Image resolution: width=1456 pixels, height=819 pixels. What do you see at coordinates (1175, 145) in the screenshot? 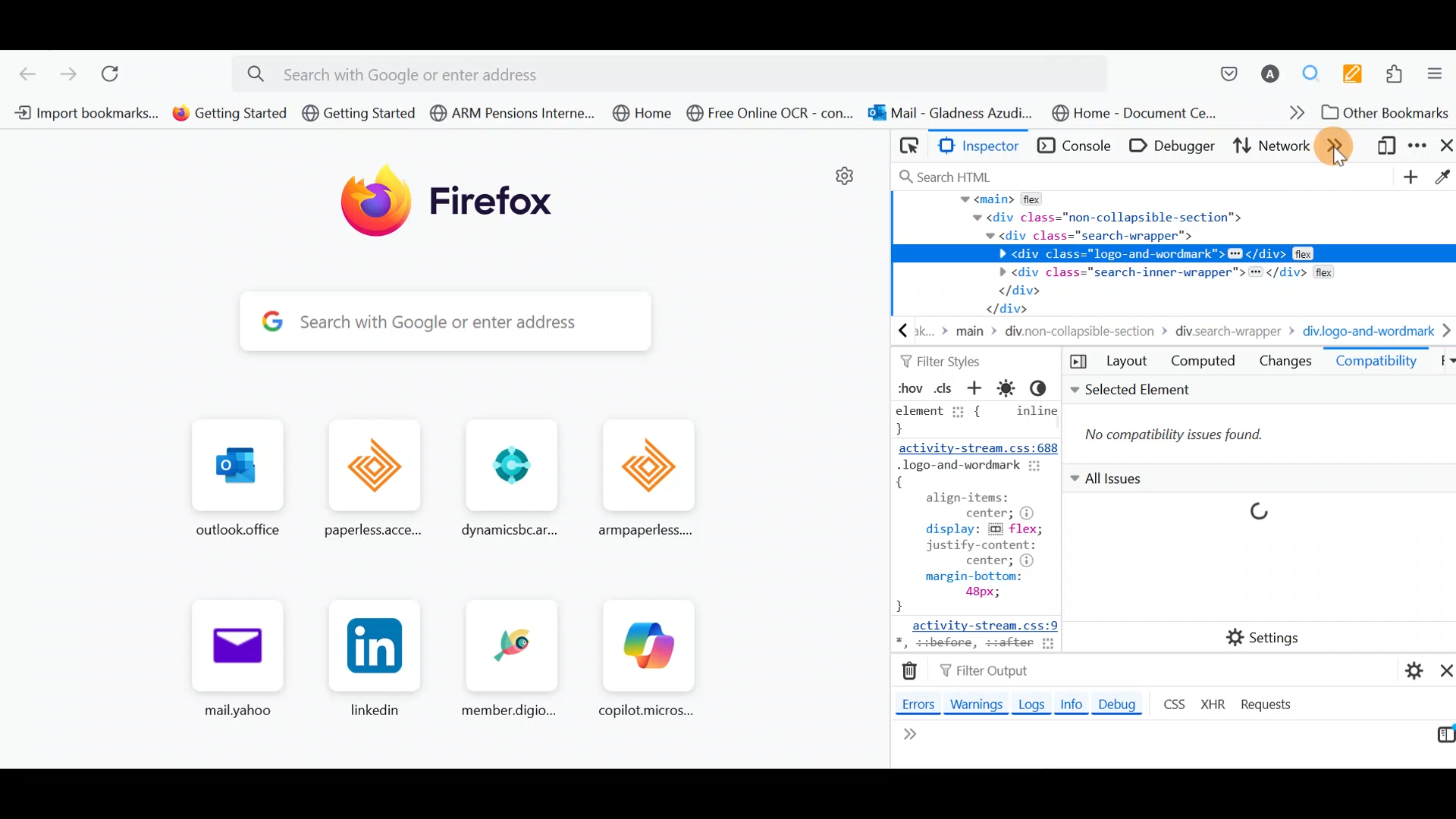
I see `Debugger` at bounding box center [1175, 145].